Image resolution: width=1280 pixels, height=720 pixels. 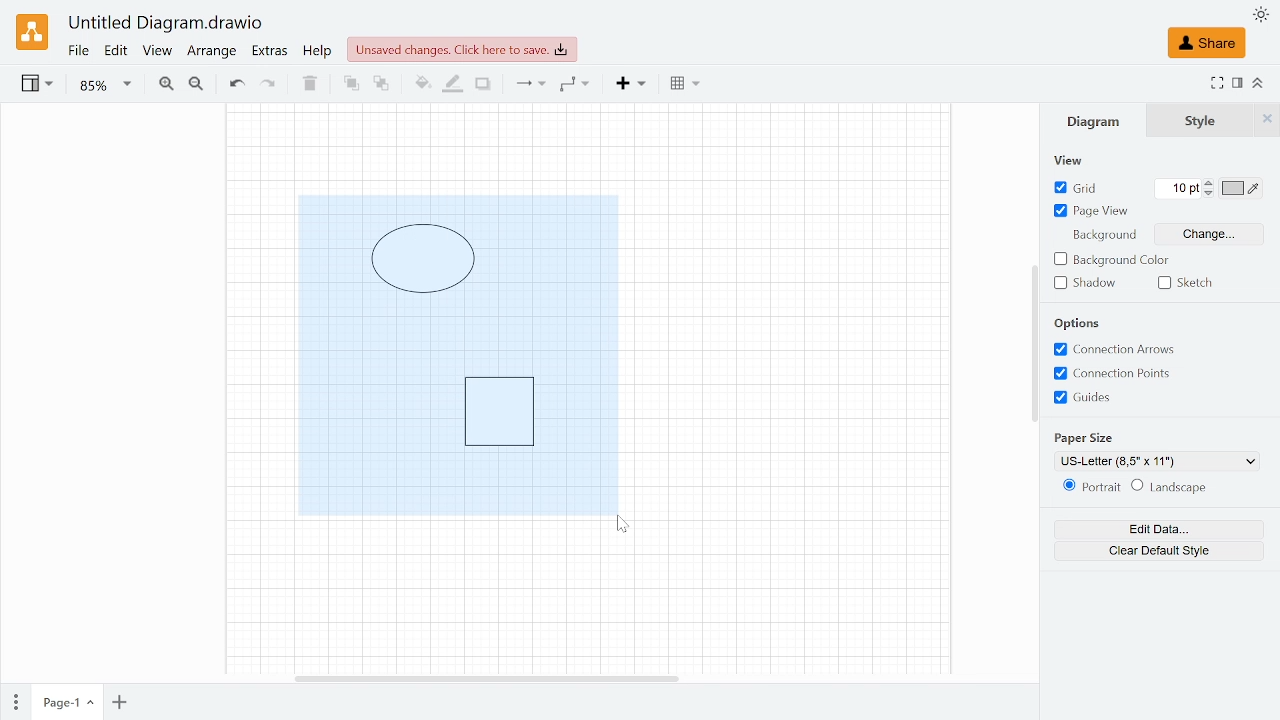 I want to click on Background, so click(x=1102, y=237).